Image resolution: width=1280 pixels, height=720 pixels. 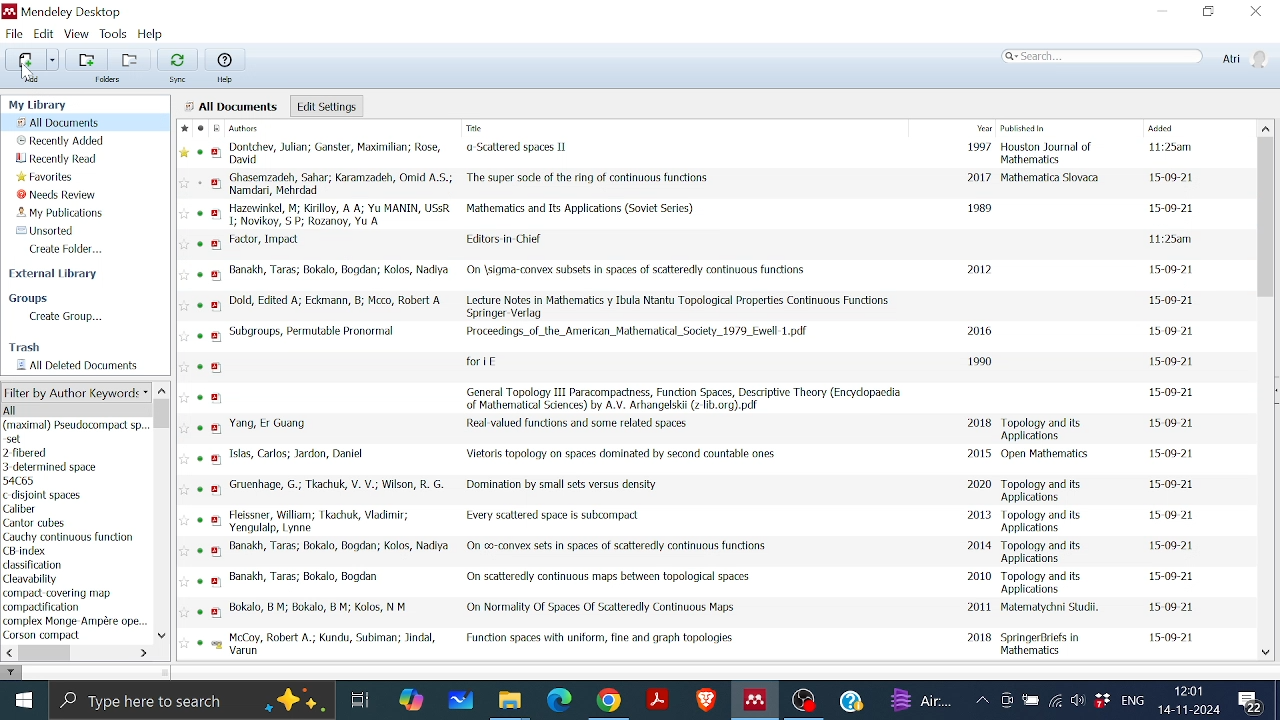 What do you see at coordinates (976, 128) in the screenshot?
I see `Year` at bounding box center [976, 128].